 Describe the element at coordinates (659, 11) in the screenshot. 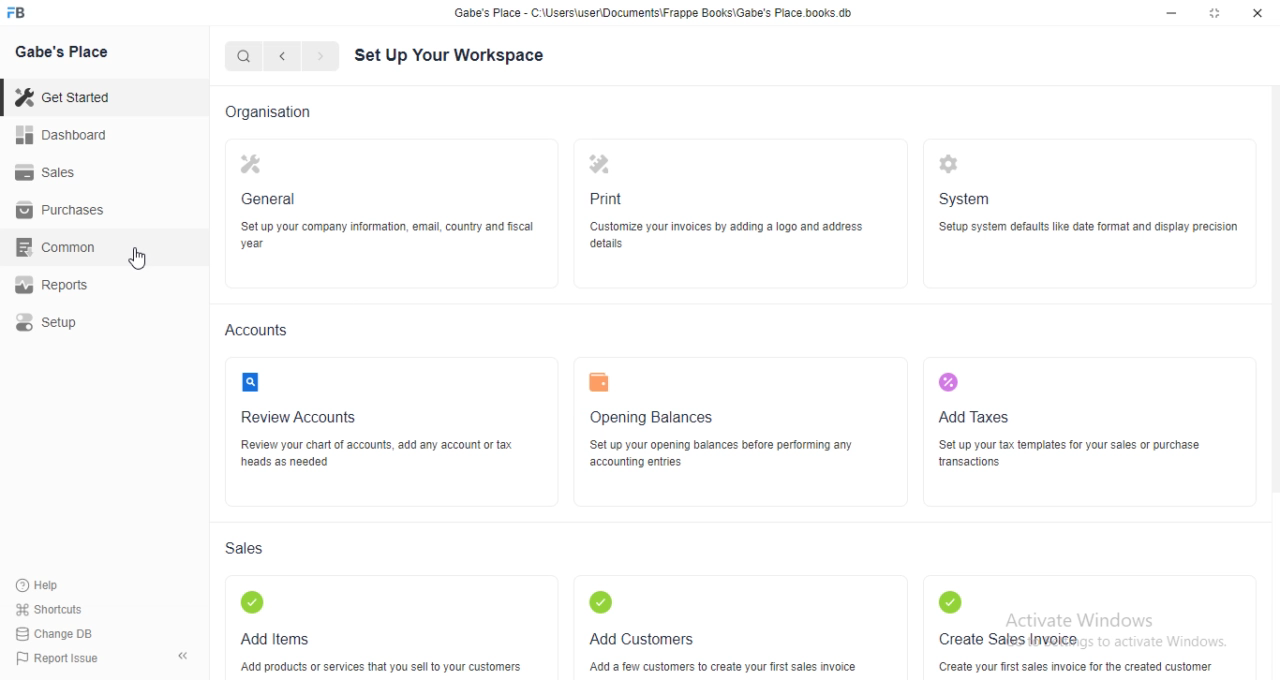

I see `‘Gabe's Place - C Wsers\userDocuments\Frappe Books\Gabe's Place books db` at that location.